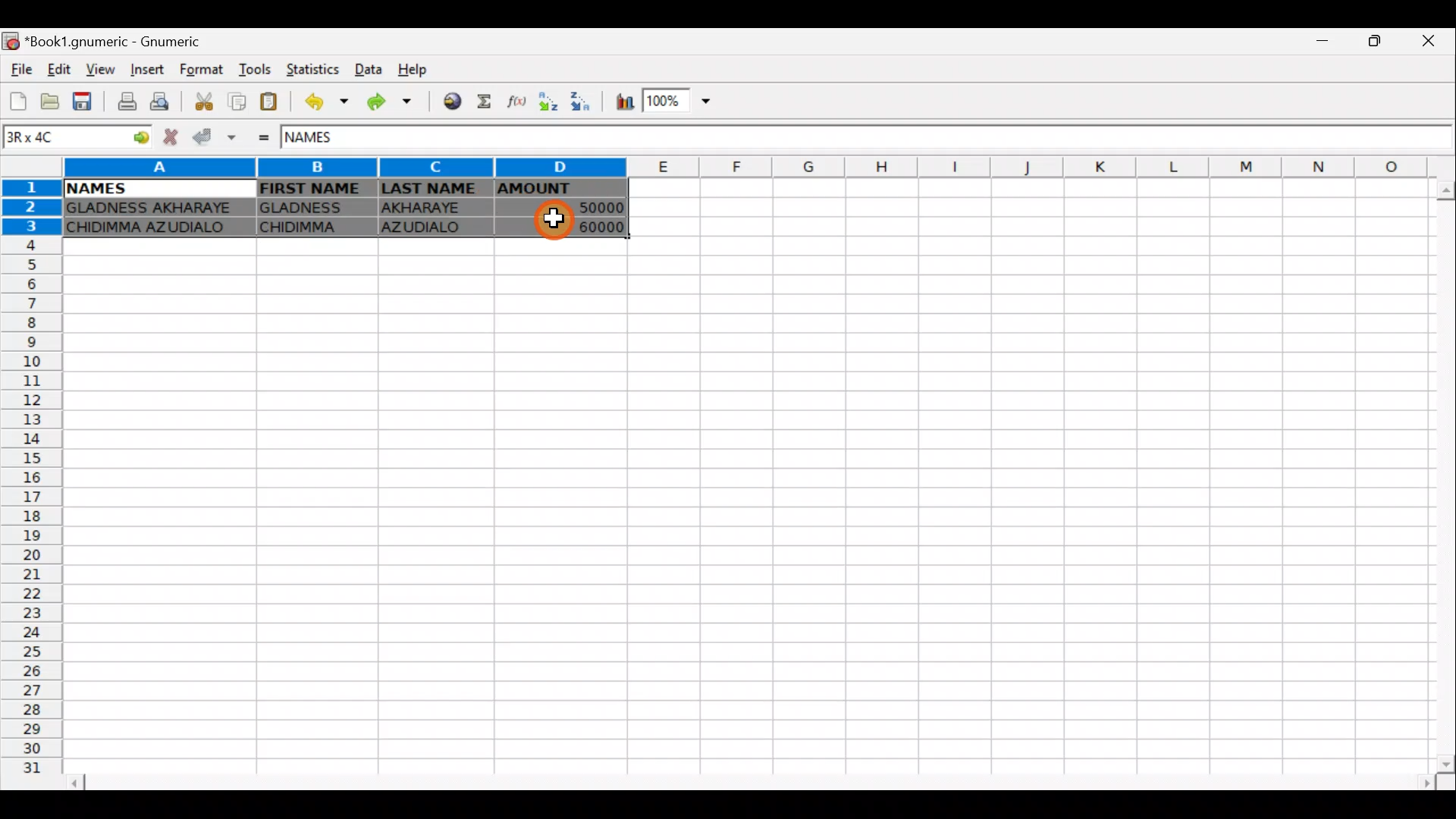 The width and height of the screenshot is (1456, 819). What do you see at coordinates (324, 141) in the screenshot?
I see `NAMES` at bounding box center [324, 141].